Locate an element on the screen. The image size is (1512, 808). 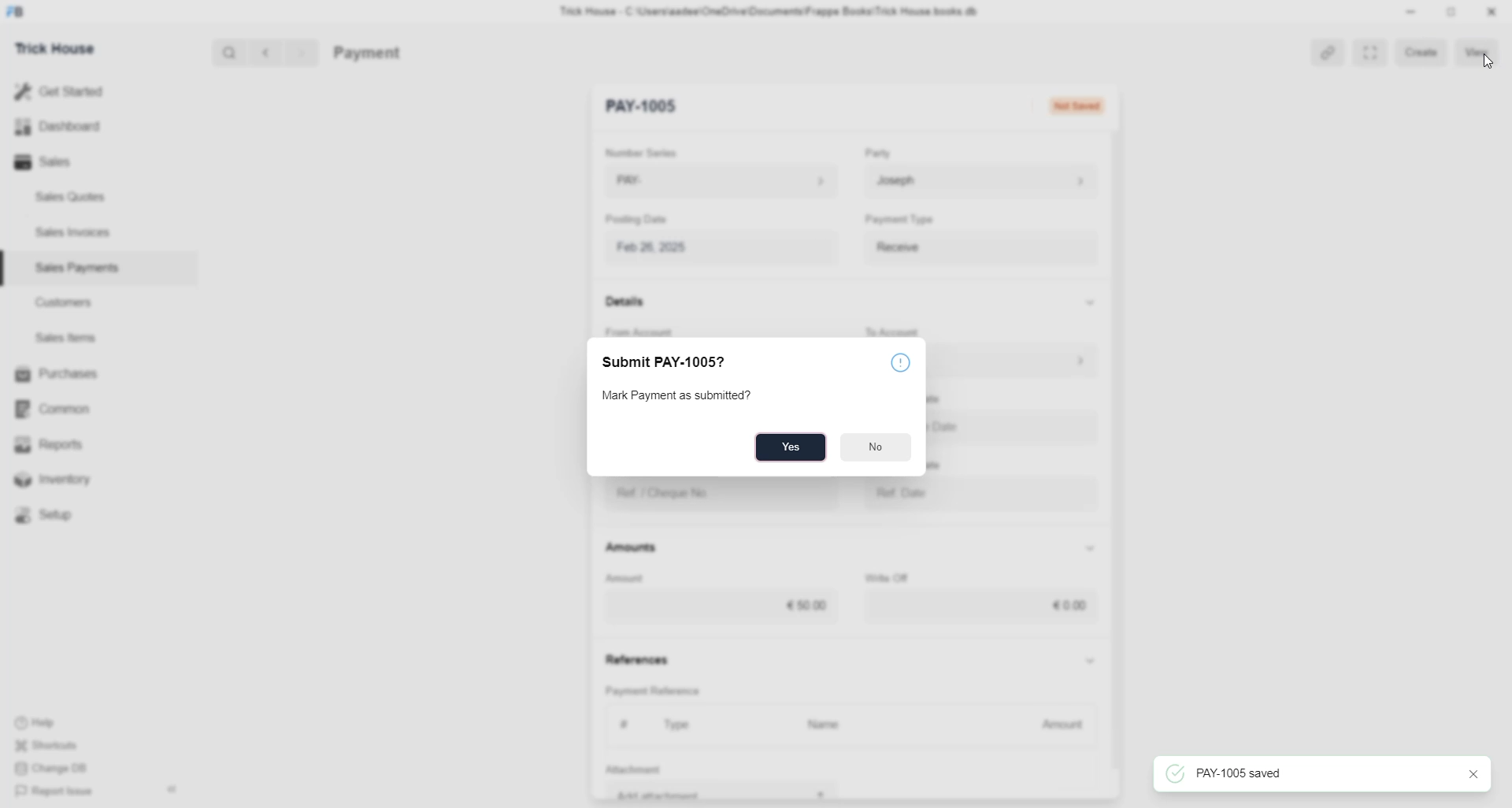
Amount is located at coordinates (1056, 726).